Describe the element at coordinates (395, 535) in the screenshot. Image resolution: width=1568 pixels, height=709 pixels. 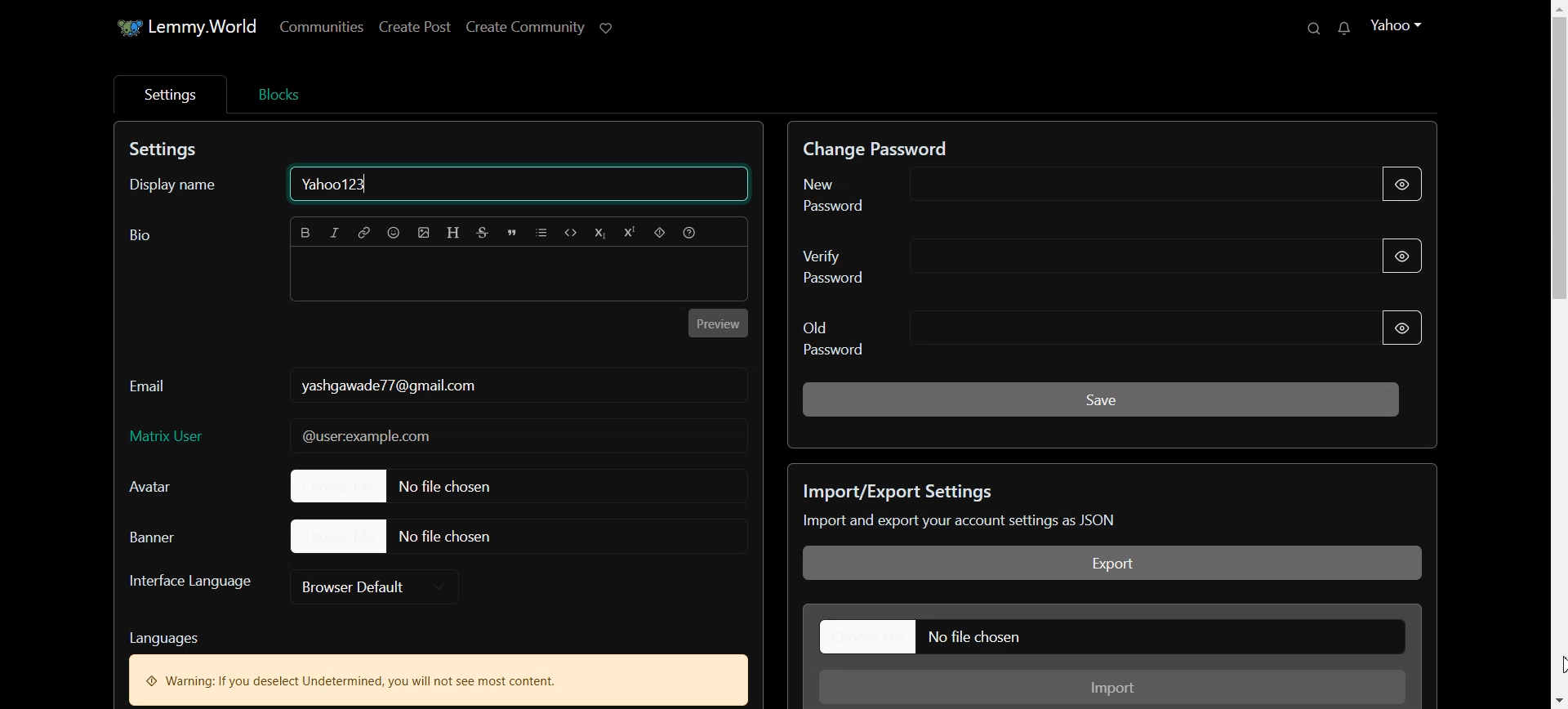
I see `File Chosen` at that location.